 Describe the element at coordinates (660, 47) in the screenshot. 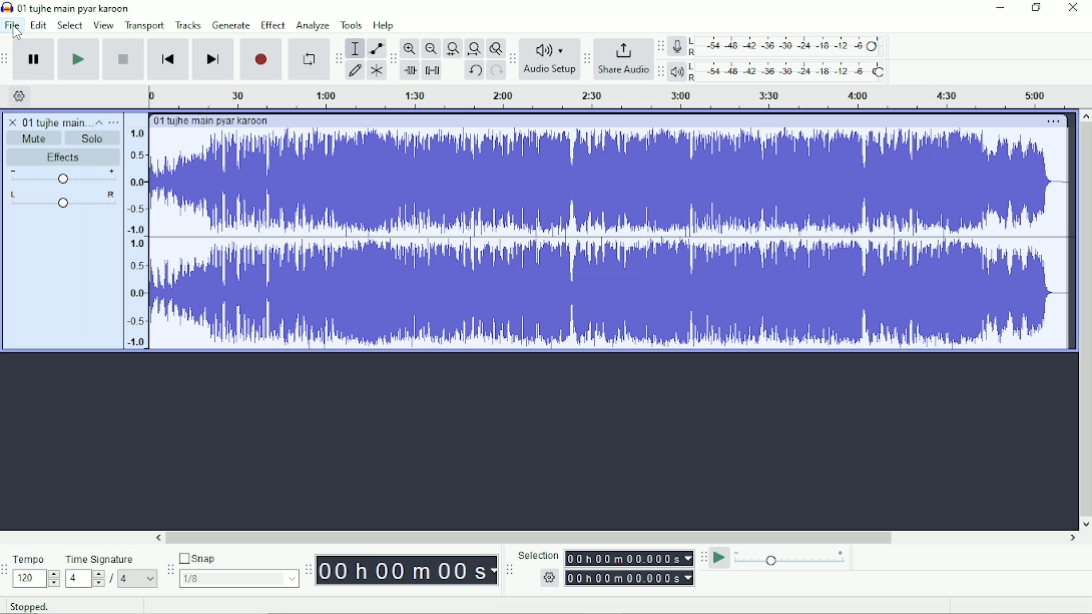

I see `Audacity record meter toolbar` at that location.